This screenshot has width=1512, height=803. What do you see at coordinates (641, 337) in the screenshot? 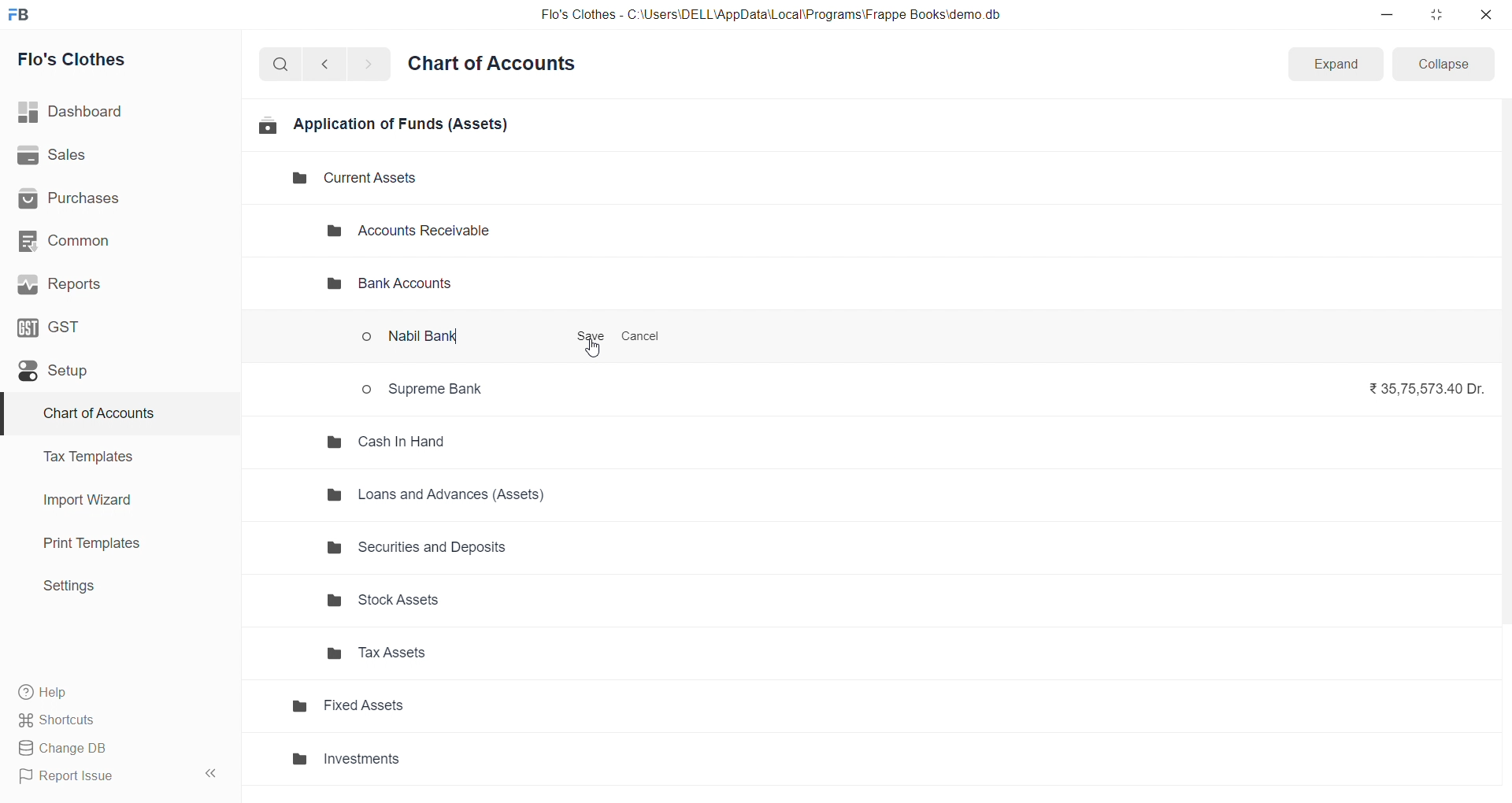
I see `Cancel` at bounding box center [641, 337].